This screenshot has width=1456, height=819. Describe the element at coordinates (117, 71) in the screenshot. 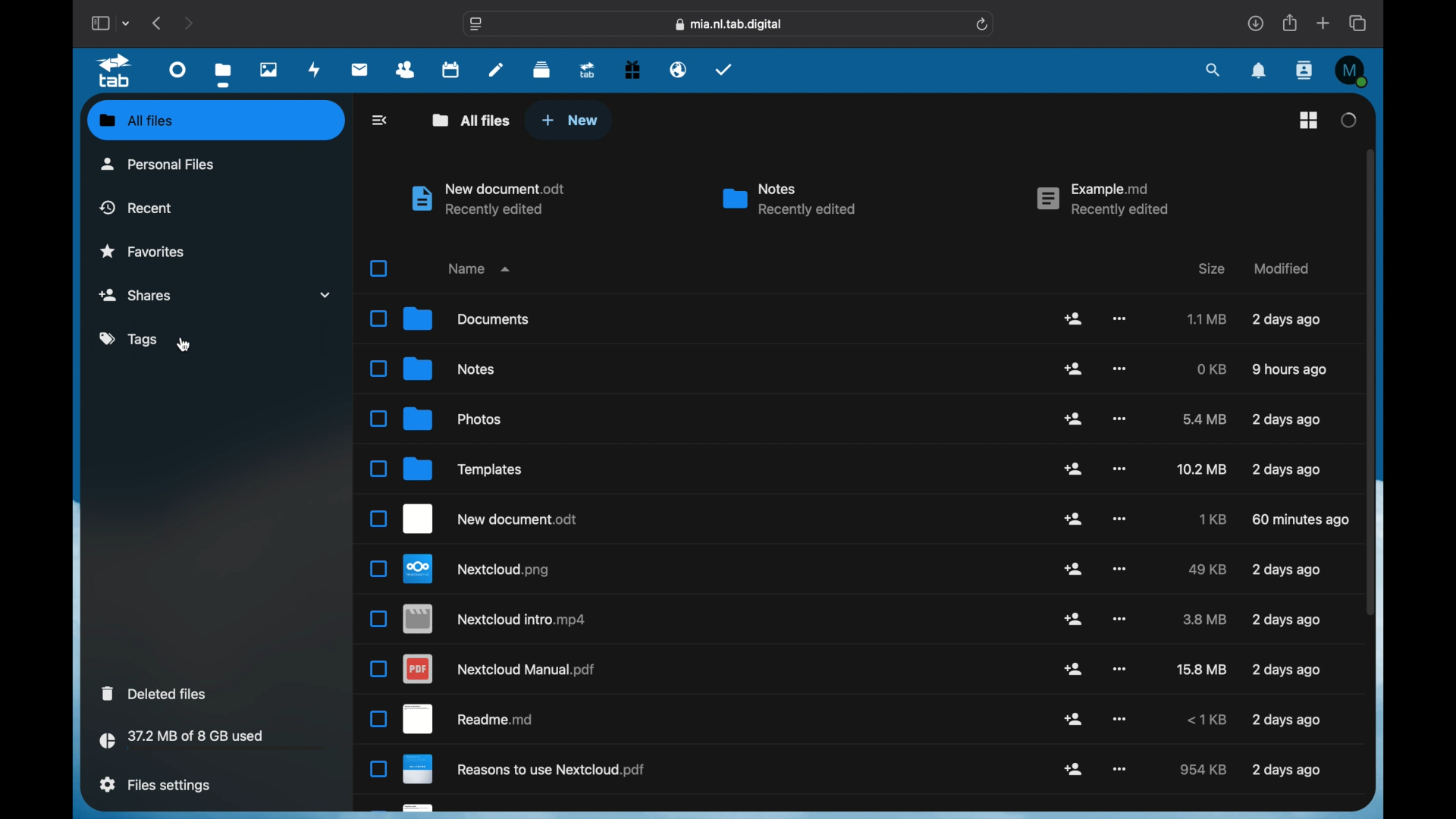

I see `tab` at that location.